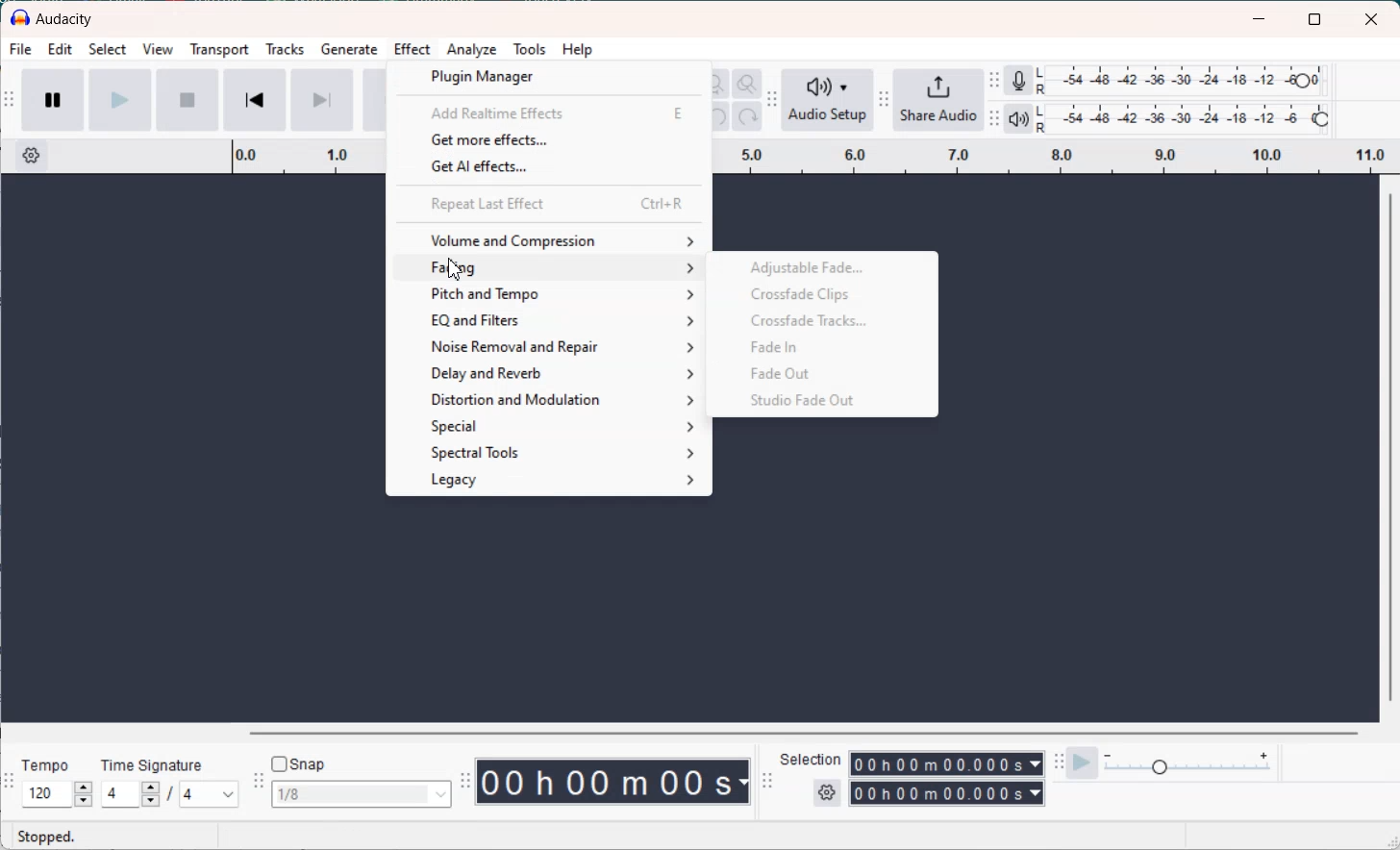  What do you see at coordinates (548, 240) in the screenshot?
I see `Volume and compression` at bounding box center [548, 240].